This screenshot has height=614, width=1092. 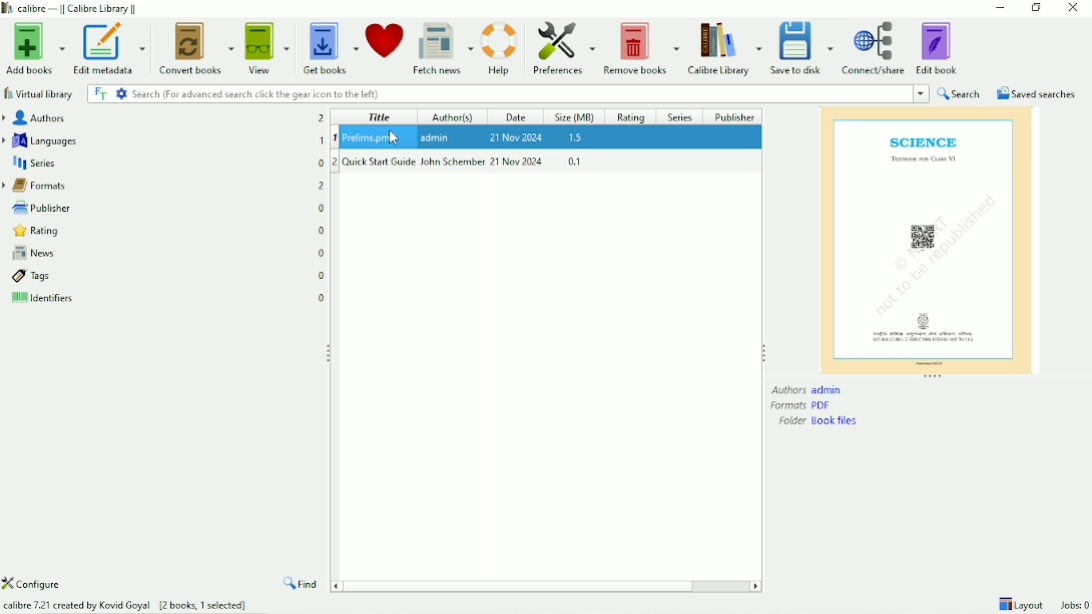 What do you see at coordinates (335, 138) in the screenshot?
I see `1` at bounding box center [335, 138].